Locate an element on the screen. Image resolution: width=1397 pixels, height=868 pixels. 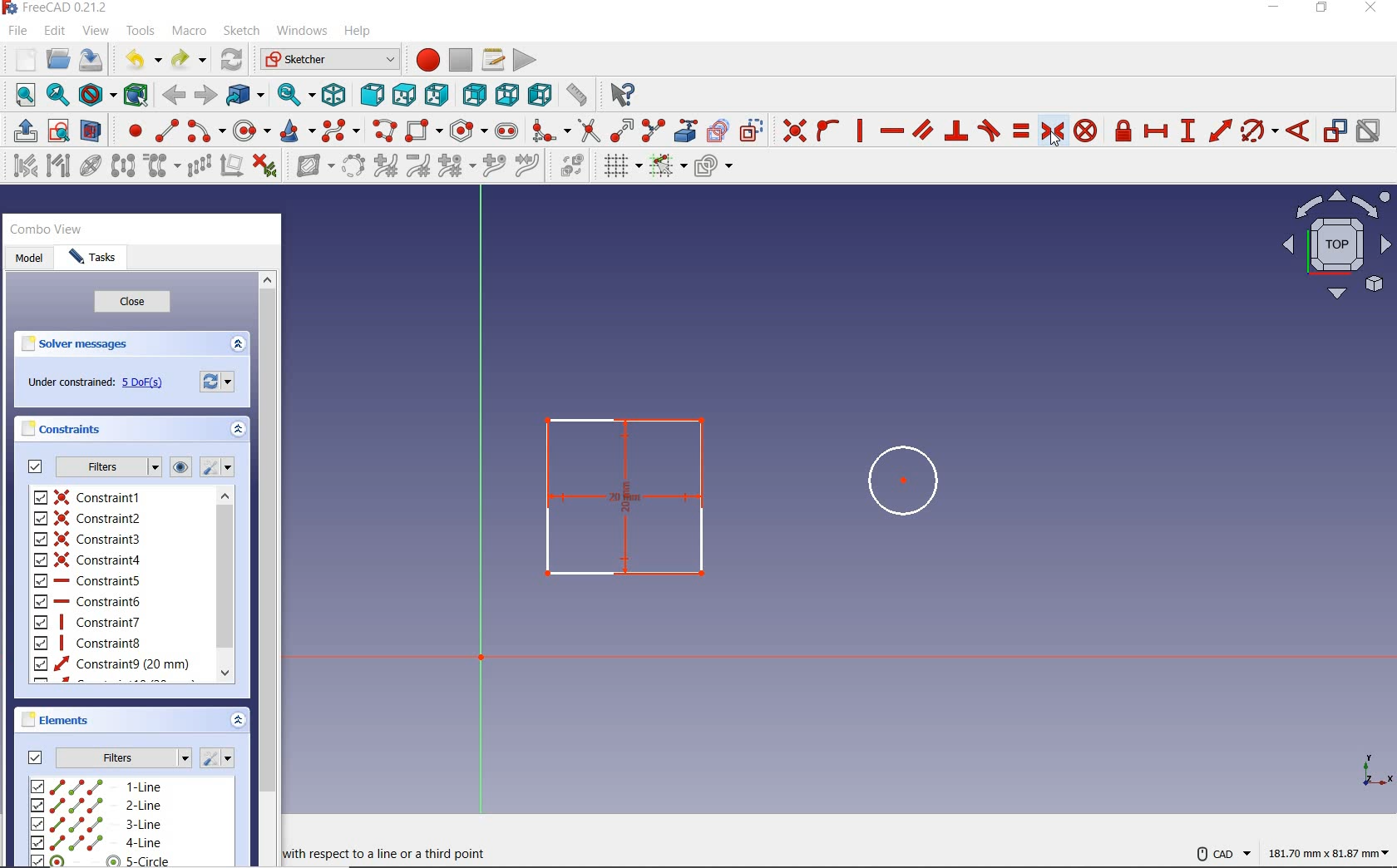
create regular polygon is located at coordinates (468, 129).